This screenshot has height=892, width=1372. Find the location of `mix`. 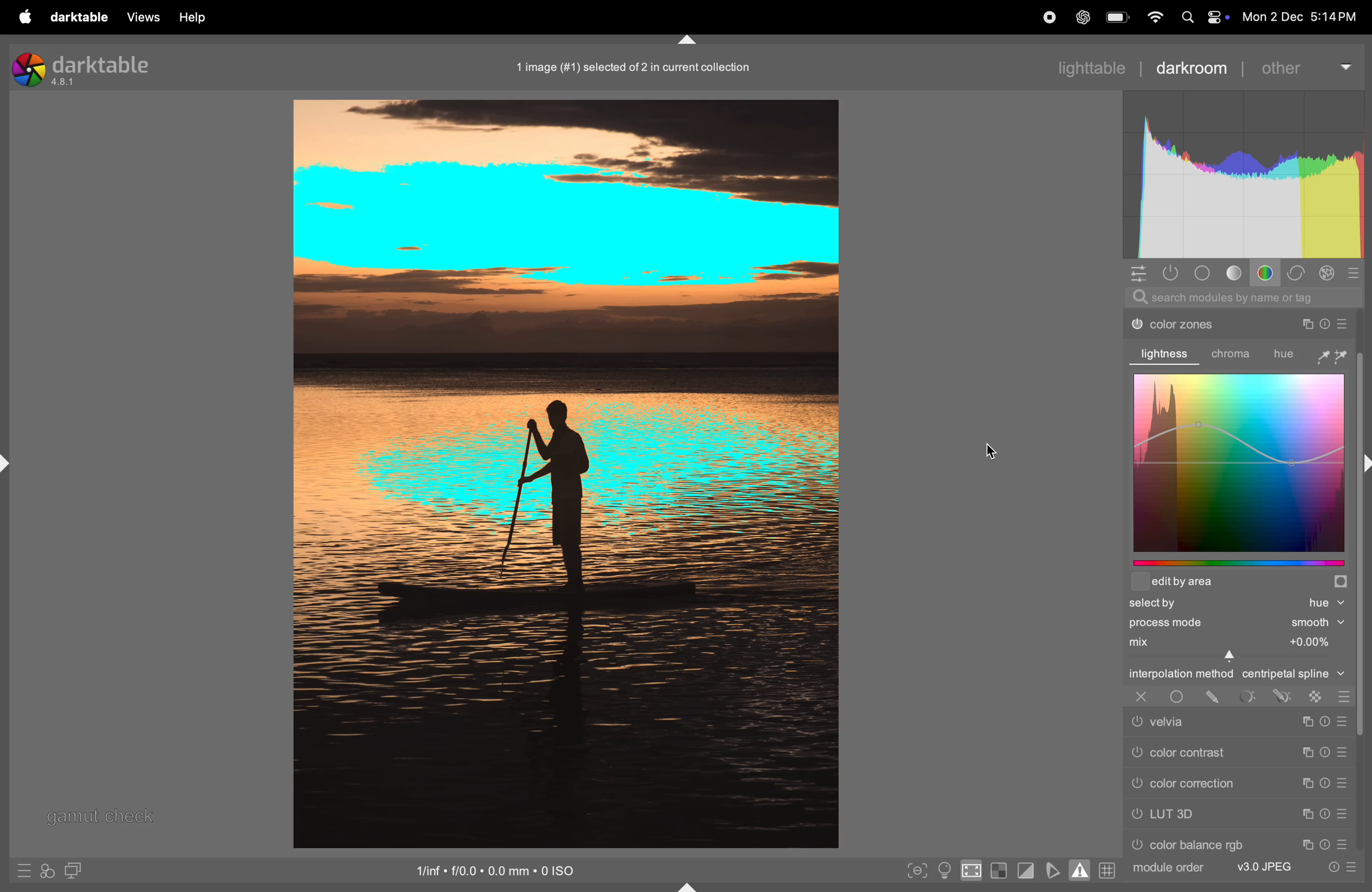

mix is located at coordinates (1234, 641).